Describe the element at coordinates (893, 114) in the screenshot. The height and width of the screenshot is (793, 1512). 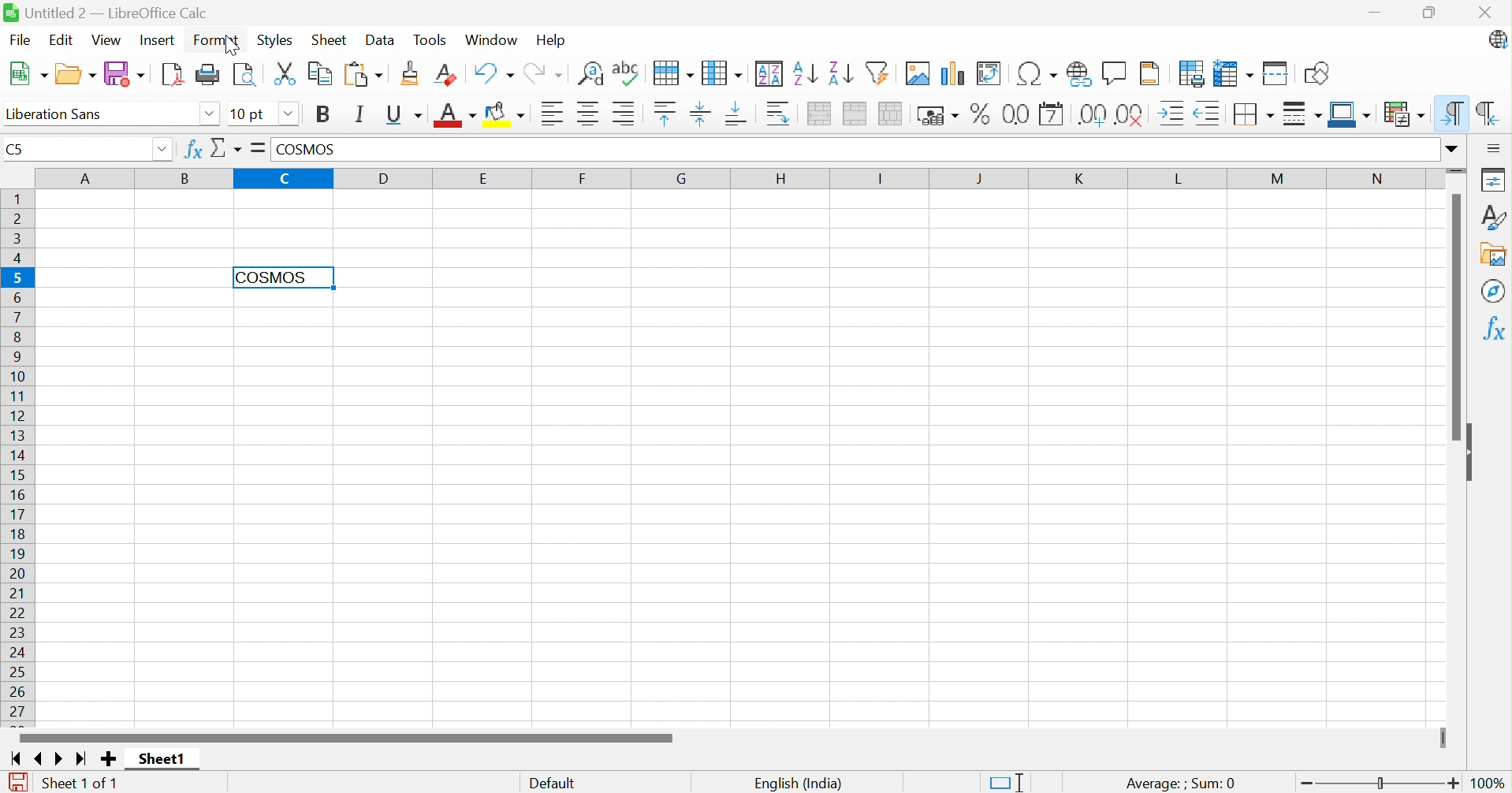
I see `Unmerge Cells` at that location.